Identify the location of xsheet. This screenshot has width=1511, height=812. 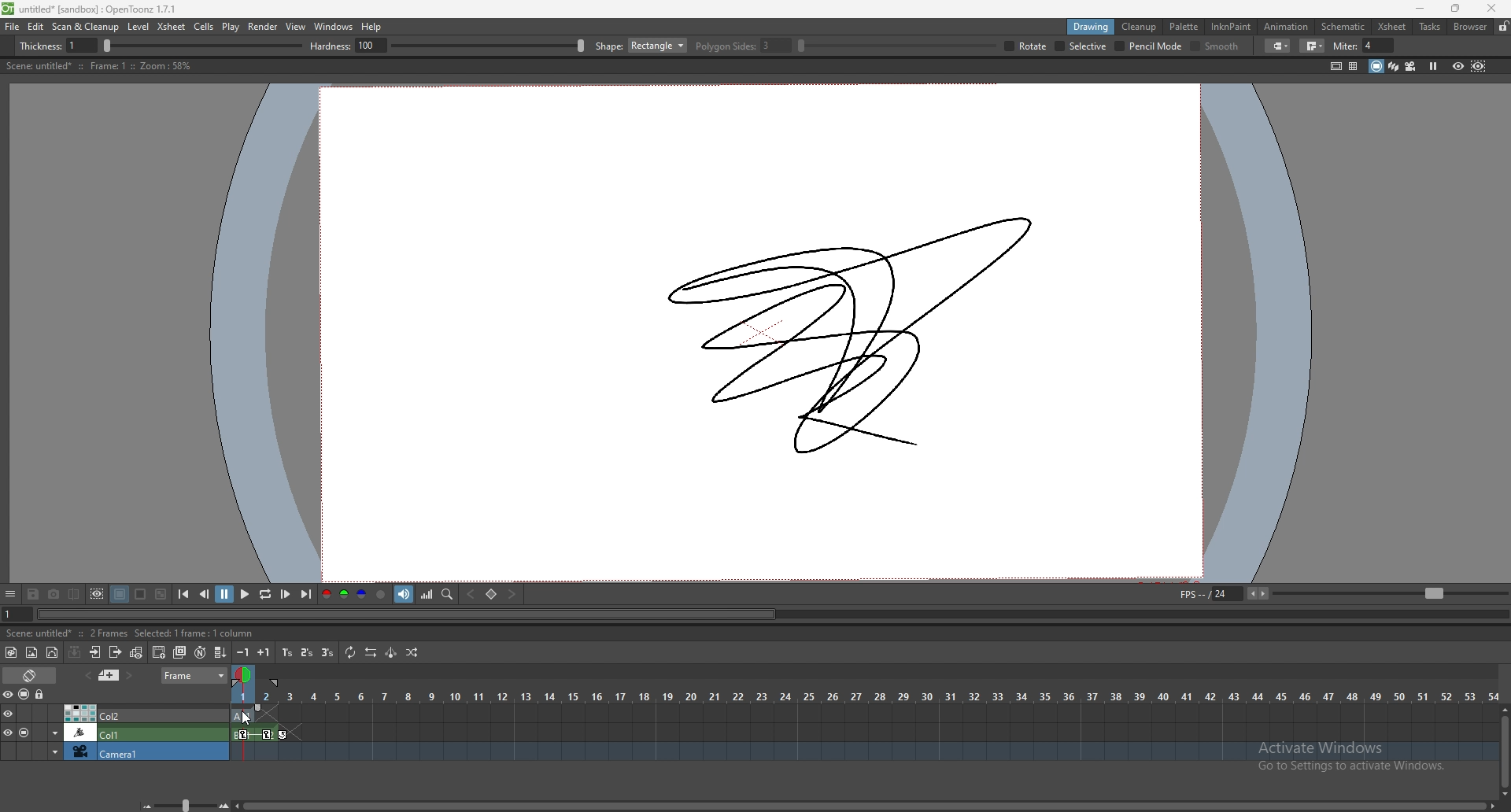
(1392, 27).